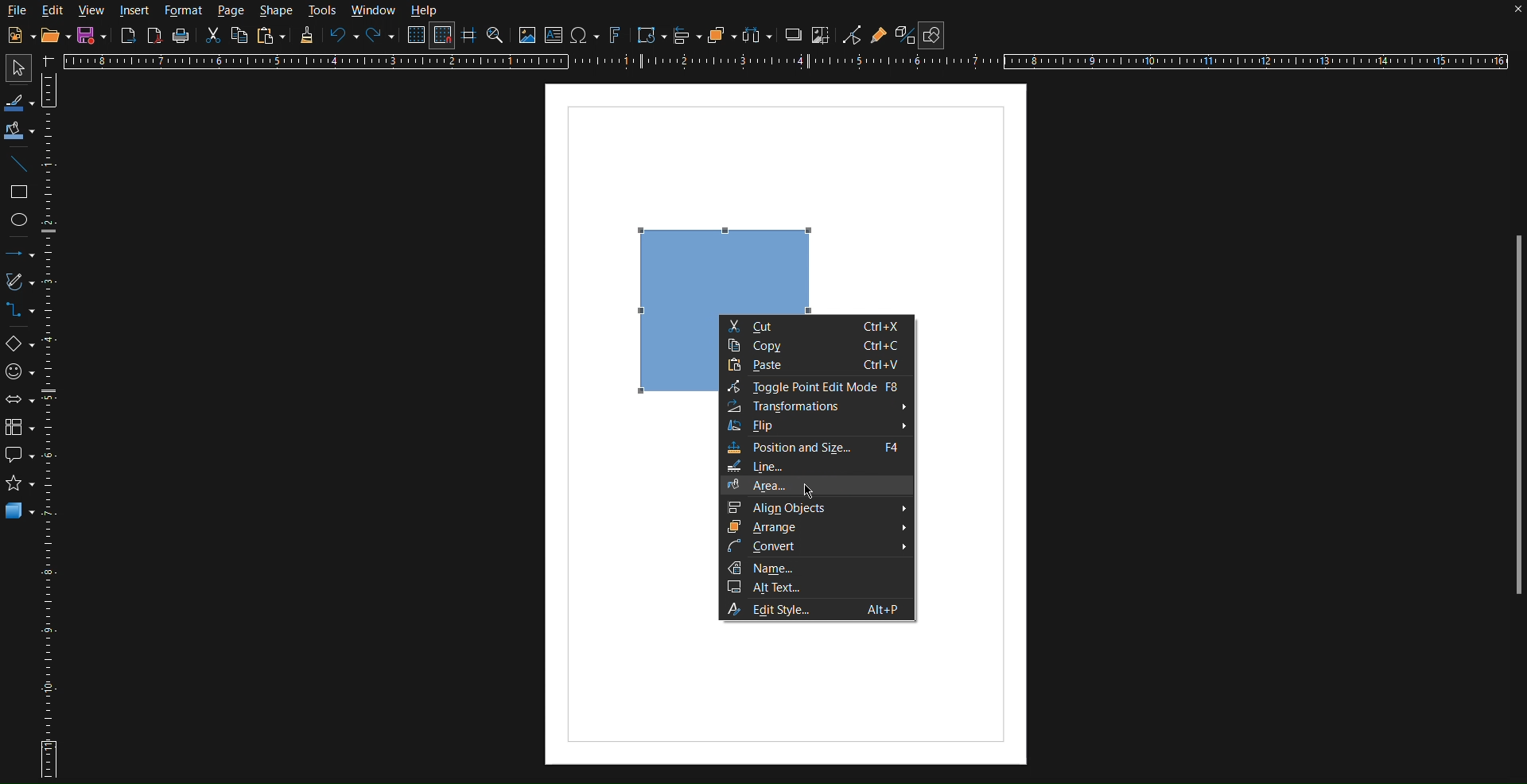 This screenshot has width=1527, height=784. Describe the element at coordinates (14, 68) in the screenshot. I see `Select` at that location.